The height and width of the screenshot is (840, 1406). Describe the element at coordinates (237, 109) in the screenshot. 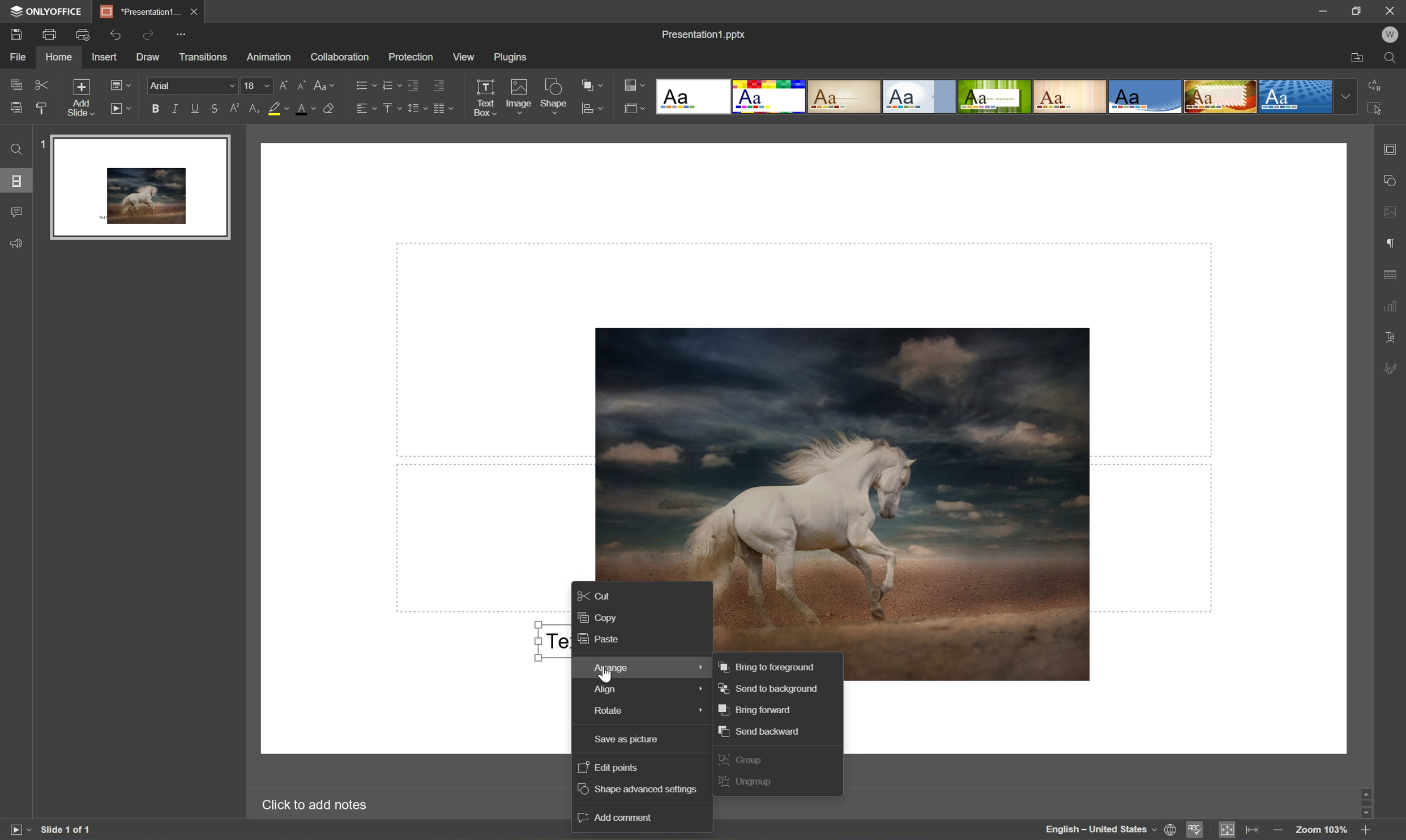

I see `Subscript` at that location.